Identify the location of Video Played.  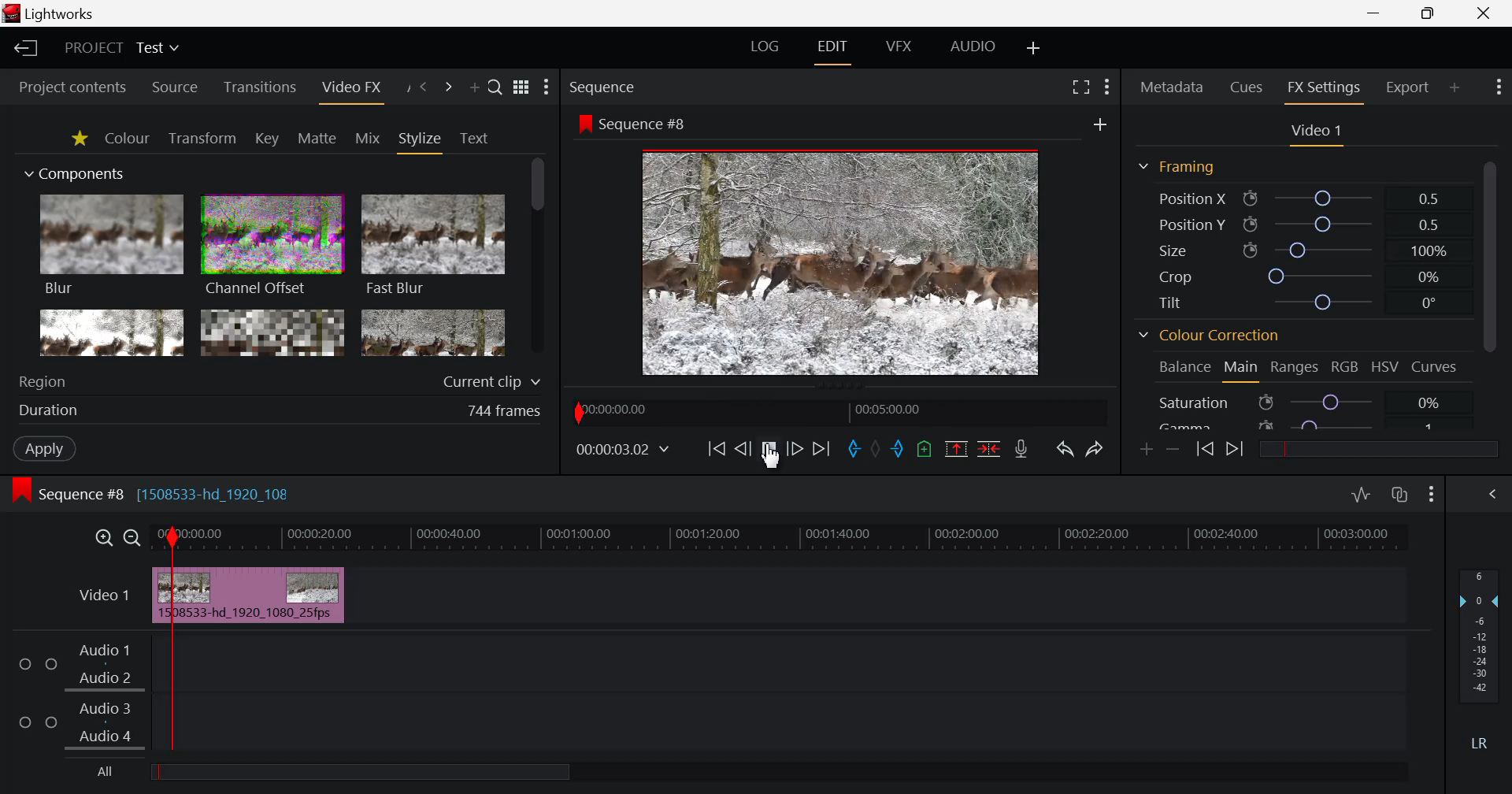
(769, 454).